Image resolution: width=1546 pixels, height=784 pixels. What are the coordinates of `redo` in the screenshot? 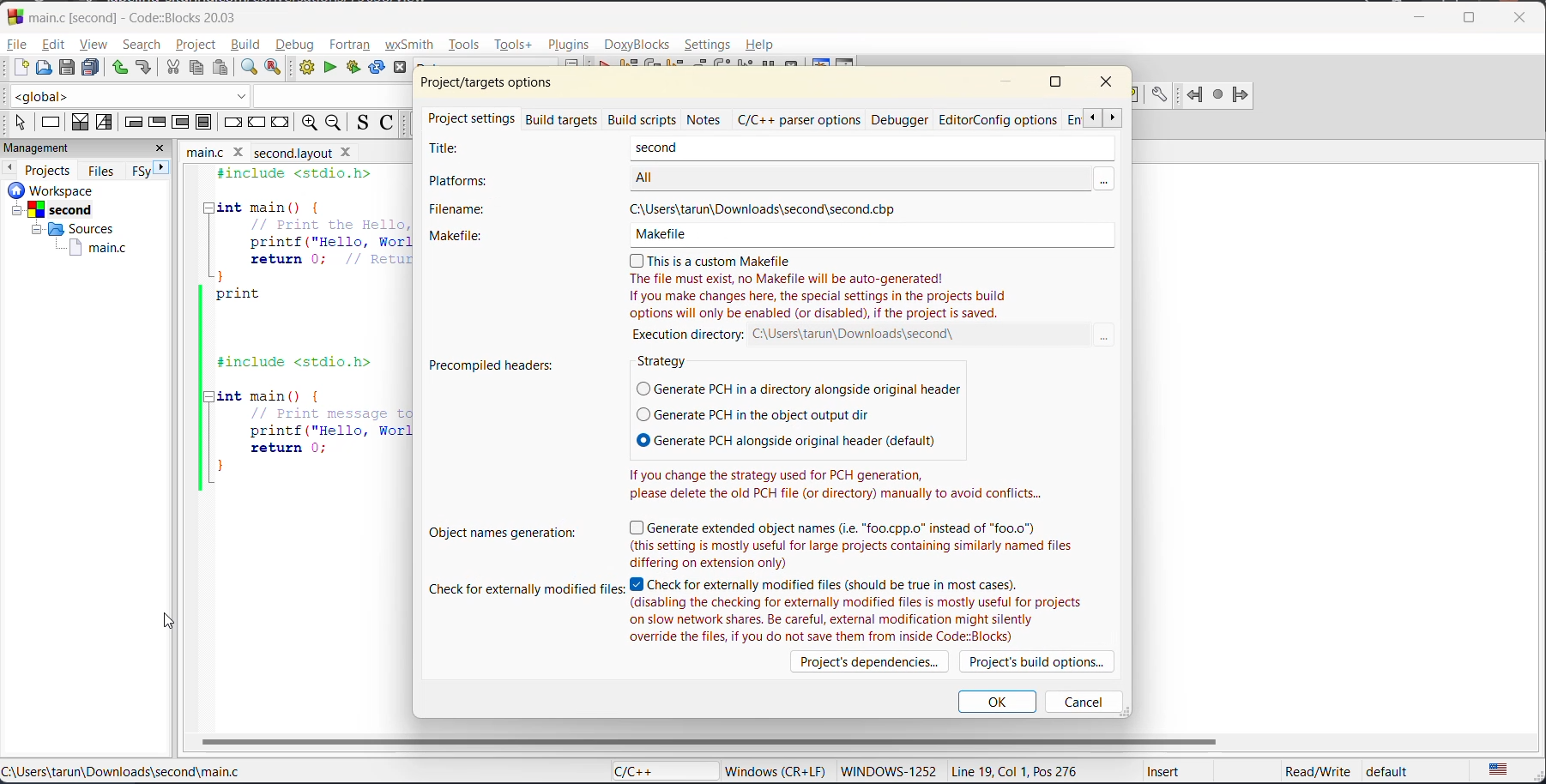 It's located at (145, 65).